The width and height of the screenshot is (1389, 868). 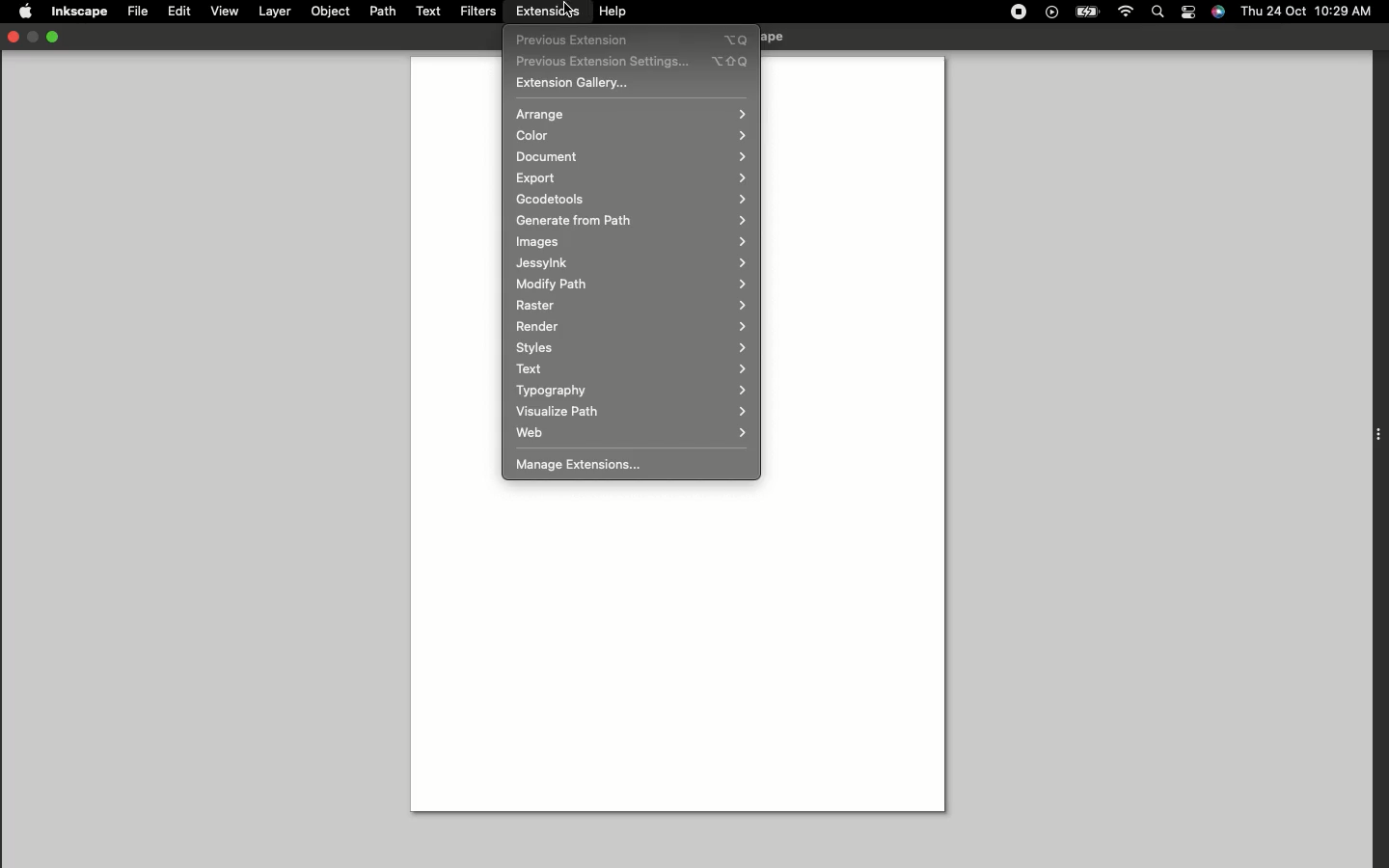 I want to click on Arrange, so click(x=633, y=113).